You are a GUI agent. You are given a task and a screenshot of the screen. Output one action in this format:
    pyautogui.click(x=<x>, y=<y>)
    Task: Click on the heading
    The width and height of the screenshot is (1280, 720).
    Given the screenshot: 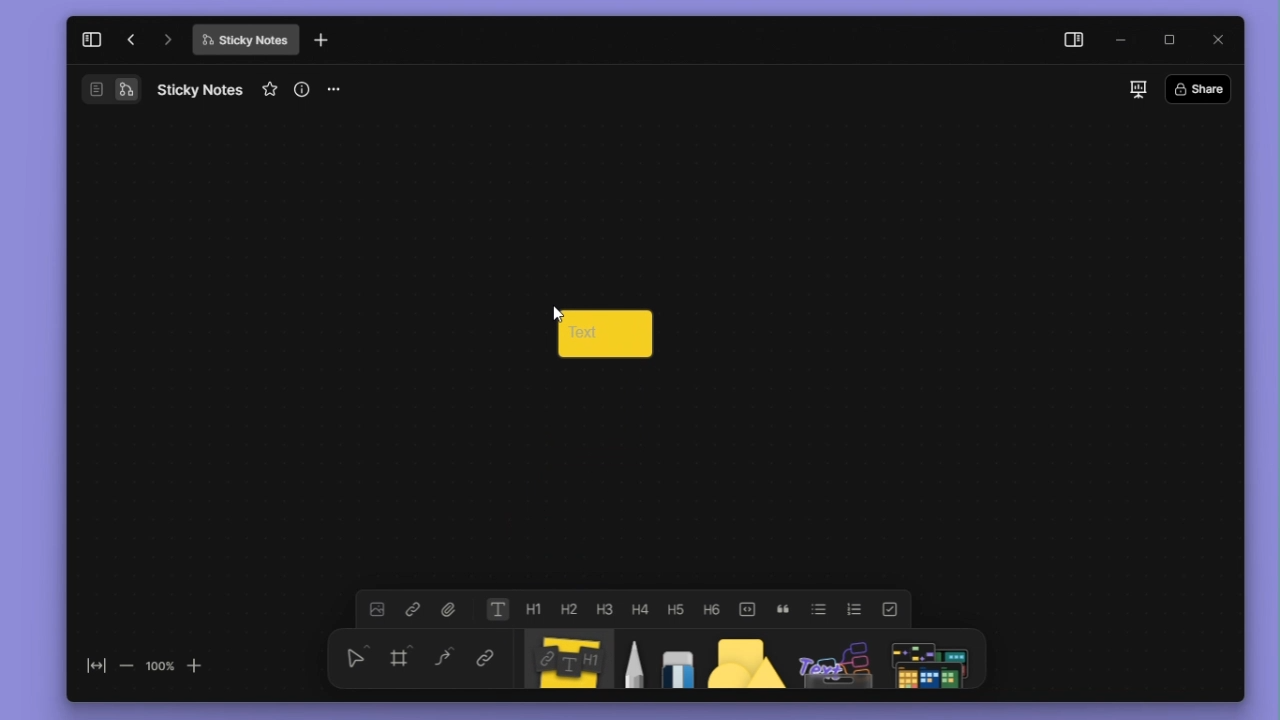 What is the action you would take?
    pyautogui.click(x=606, y=609)
    